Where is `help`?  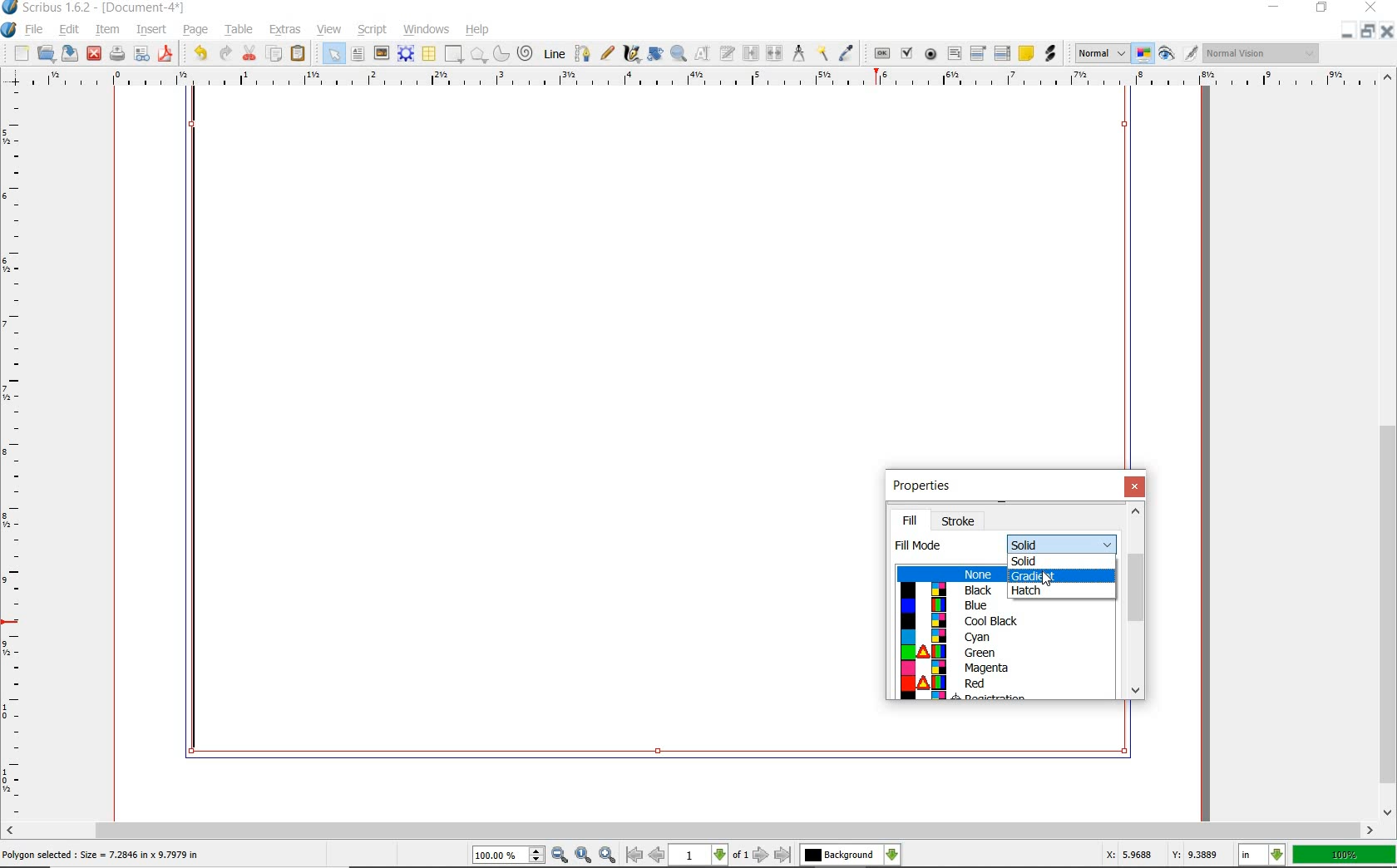
help is located at coordinates (479, 31).